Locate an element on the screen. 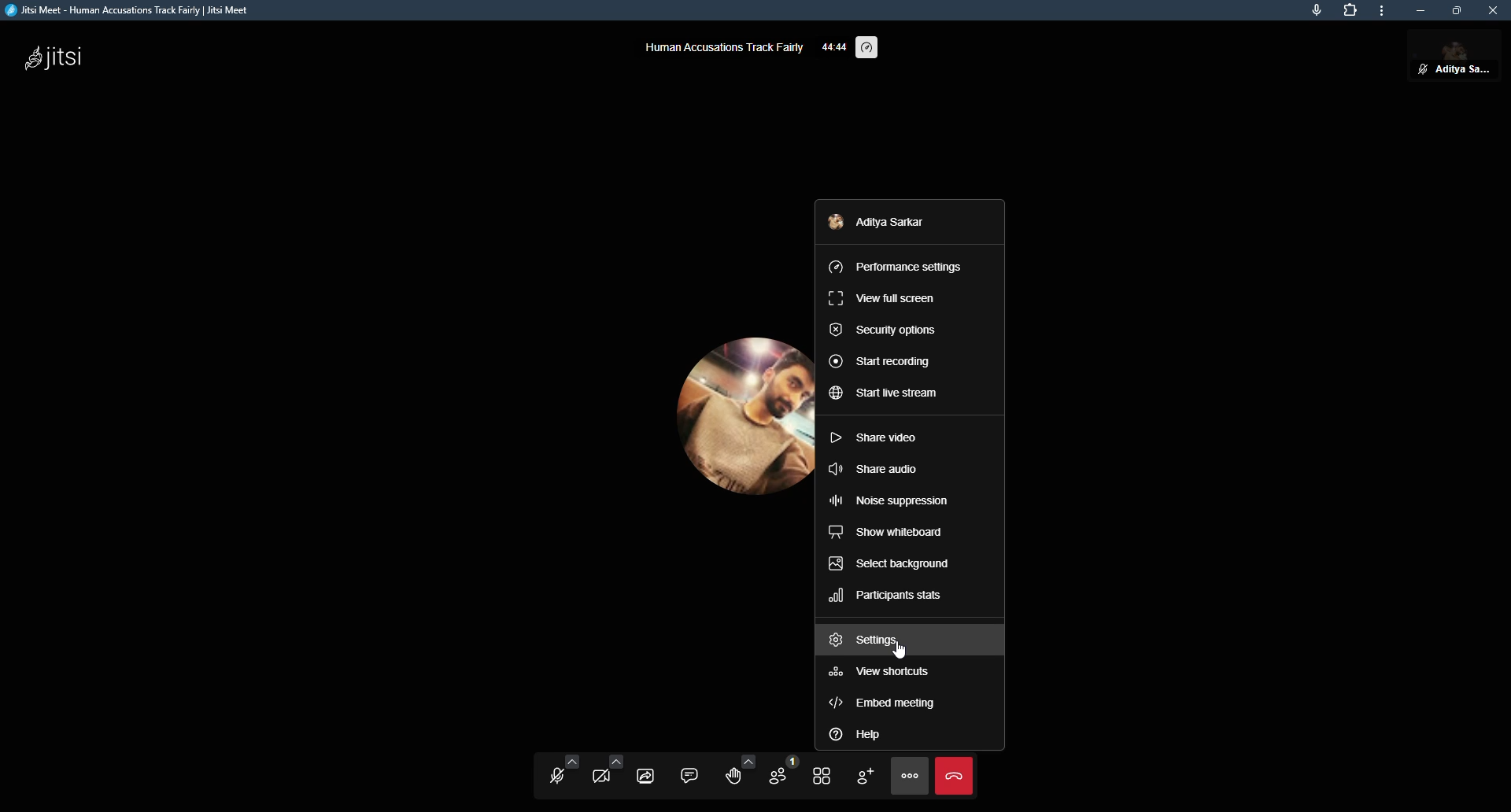 This screenshot has width=1511, height=812. profile is located at coordinates (713, 408).